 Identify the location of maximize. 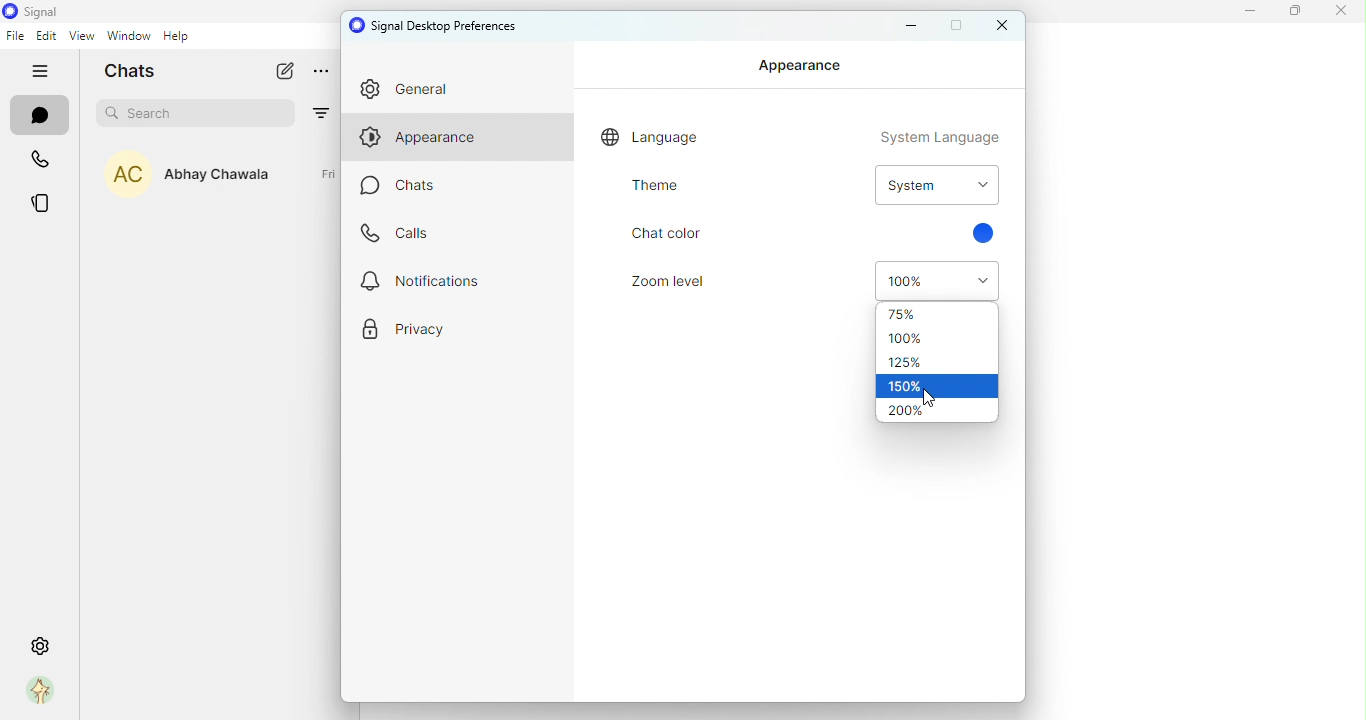
(957, 25).